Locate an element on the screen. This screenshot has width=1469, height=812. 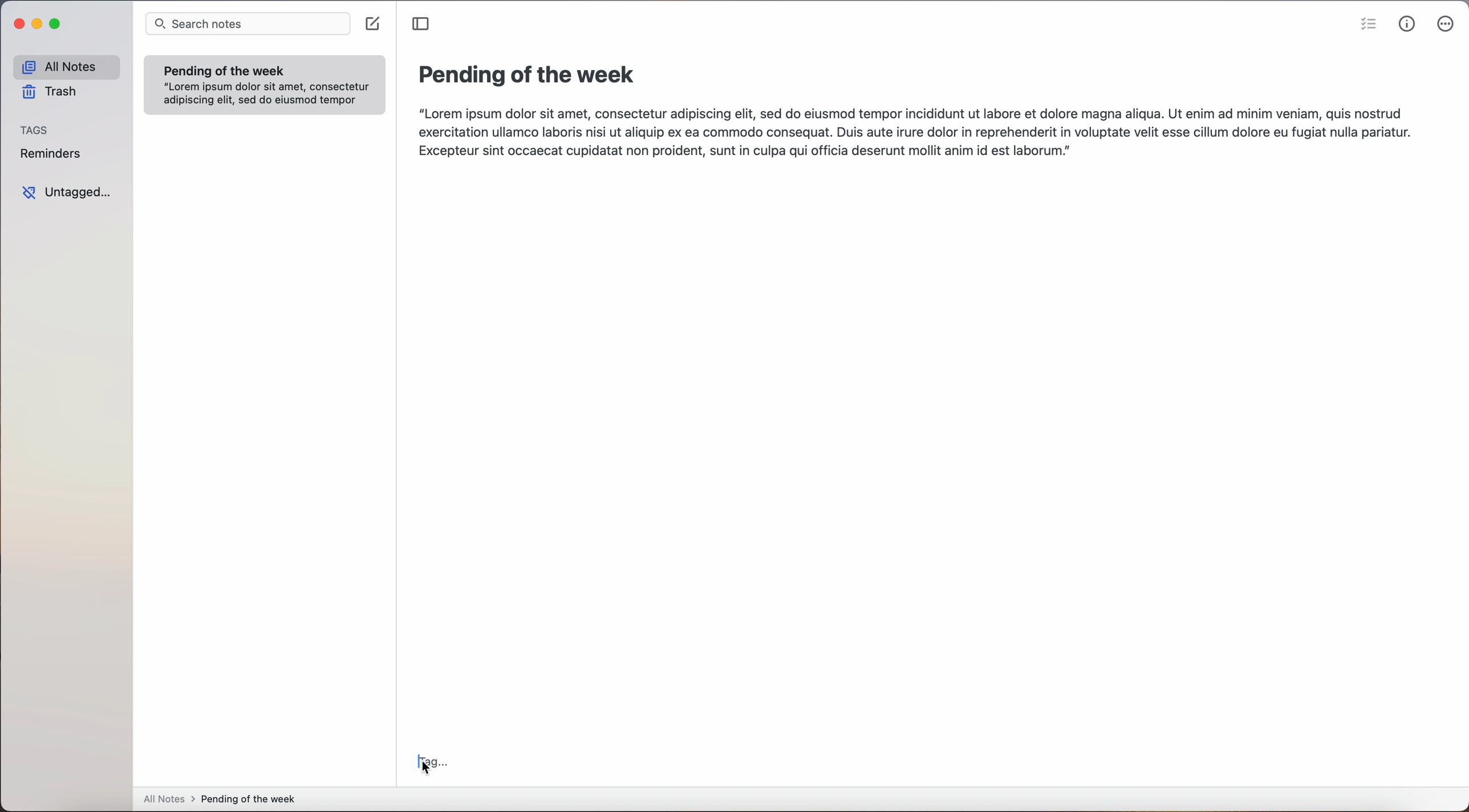
close app is located at coordinates (15, 25).